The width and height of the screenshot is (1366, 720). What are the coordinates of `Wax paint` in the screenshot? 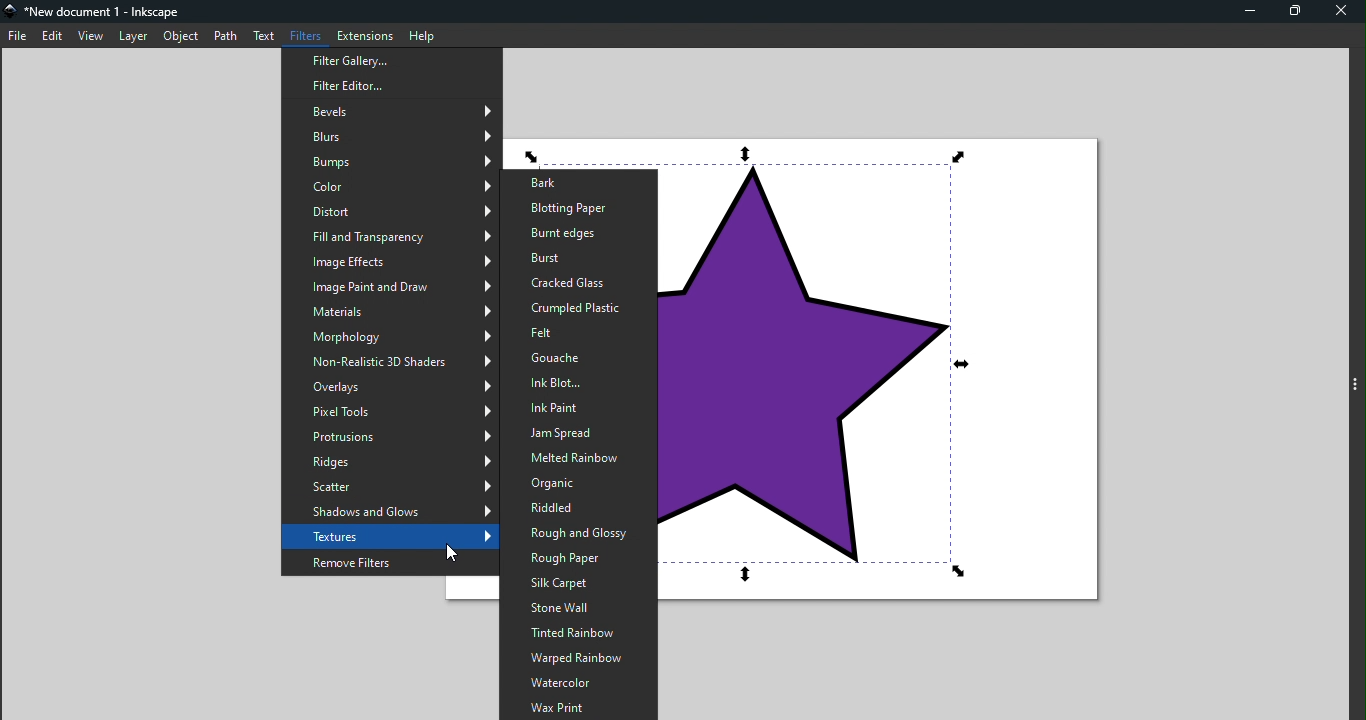 It's located at (579, 707).